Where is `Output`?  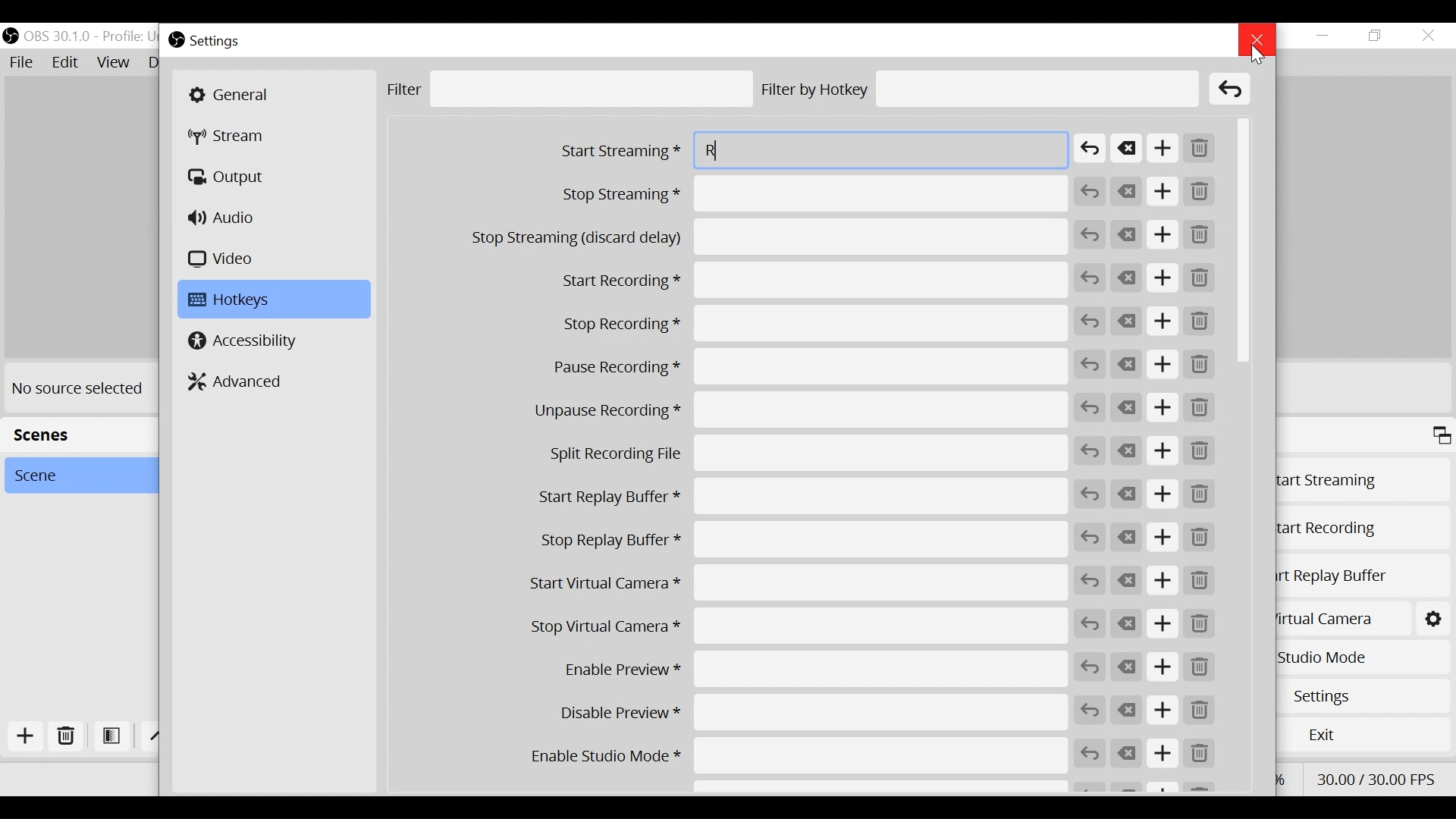
Output is located at coordinates (231, 177).